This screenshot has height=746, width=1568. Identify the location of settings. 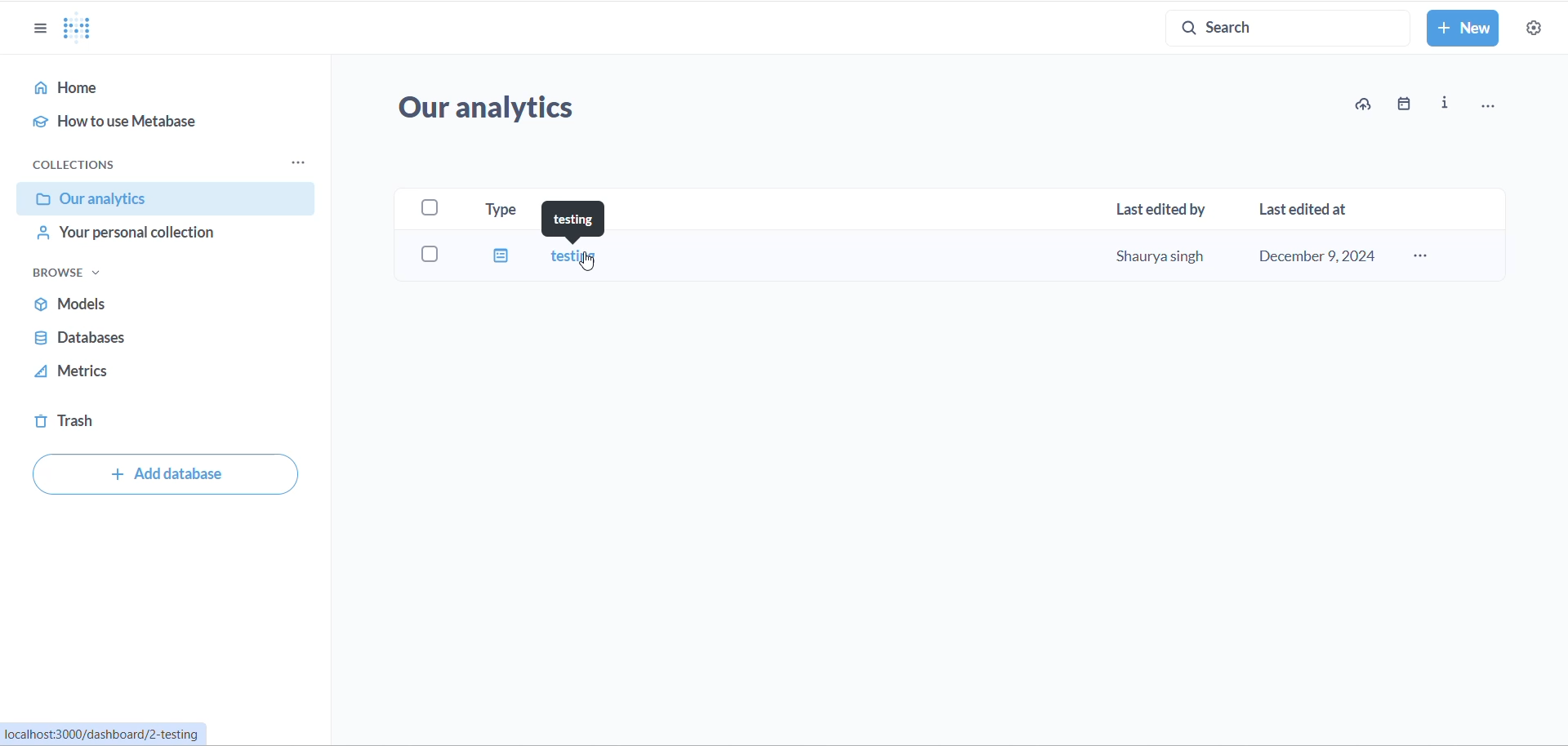
(1540, 29).